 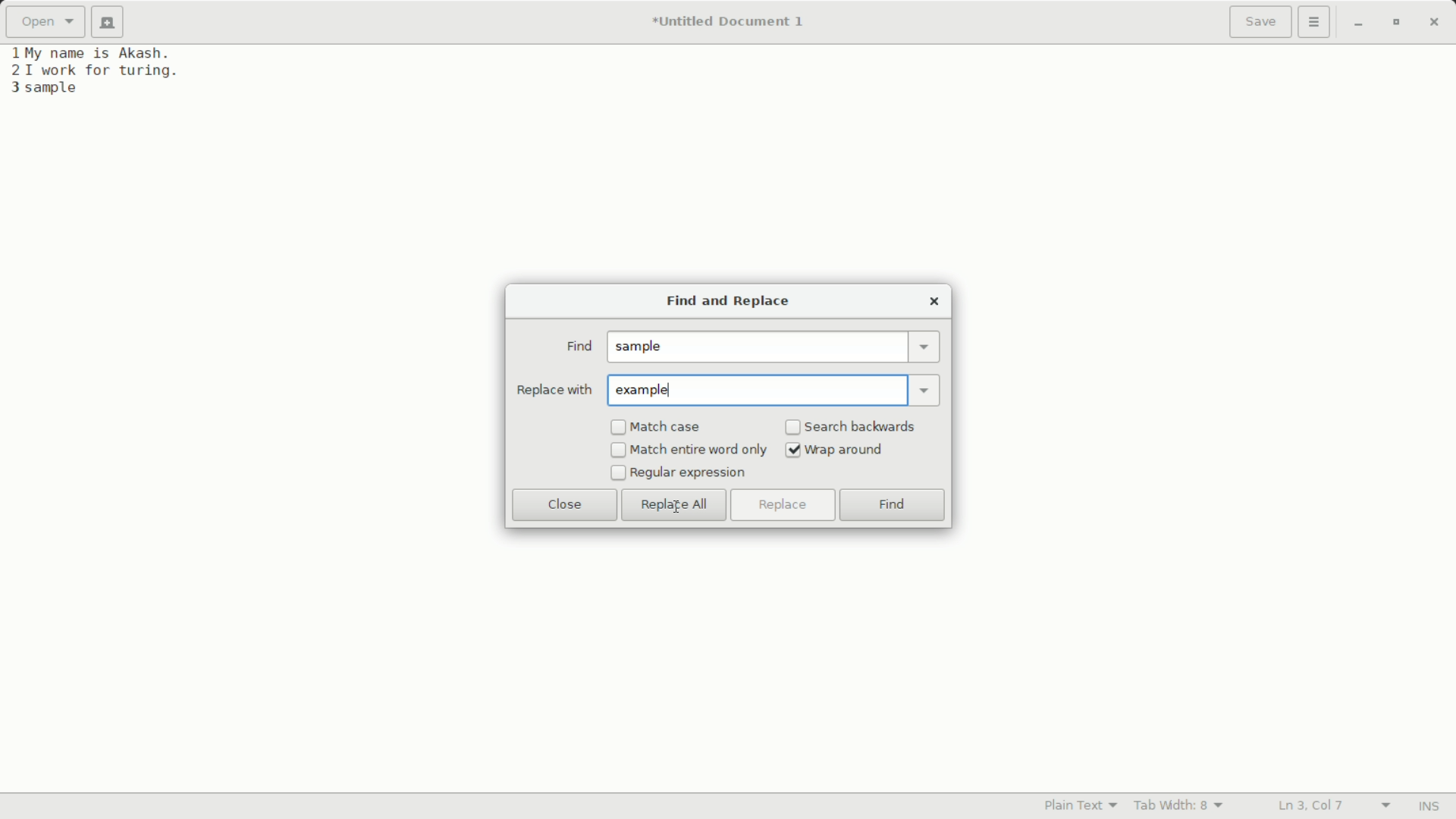 I want to click on Checked checkbox, so click(x=793, y=450).